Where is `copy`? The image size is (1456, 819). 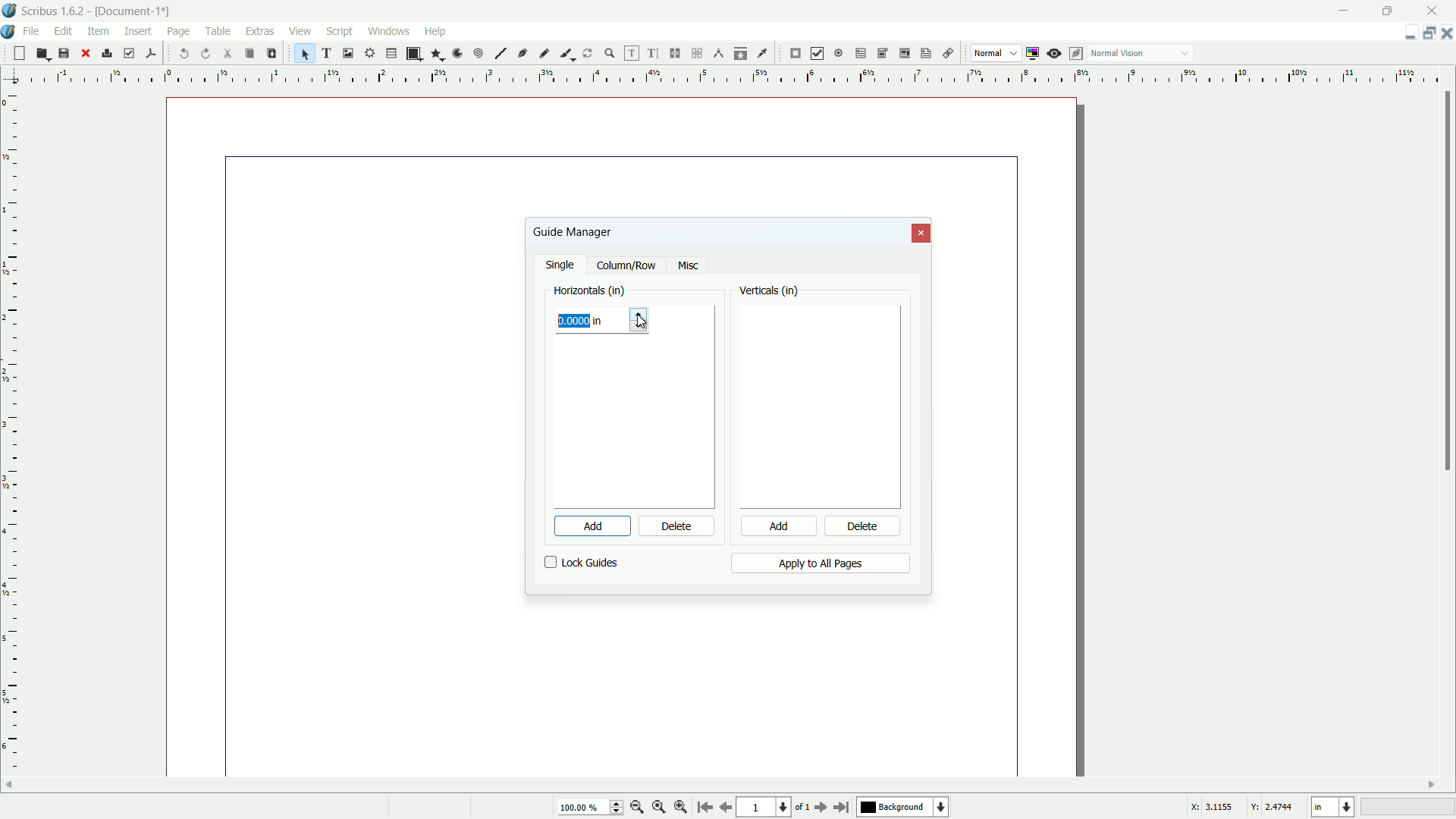
copy is located at coordinates (249, 54).